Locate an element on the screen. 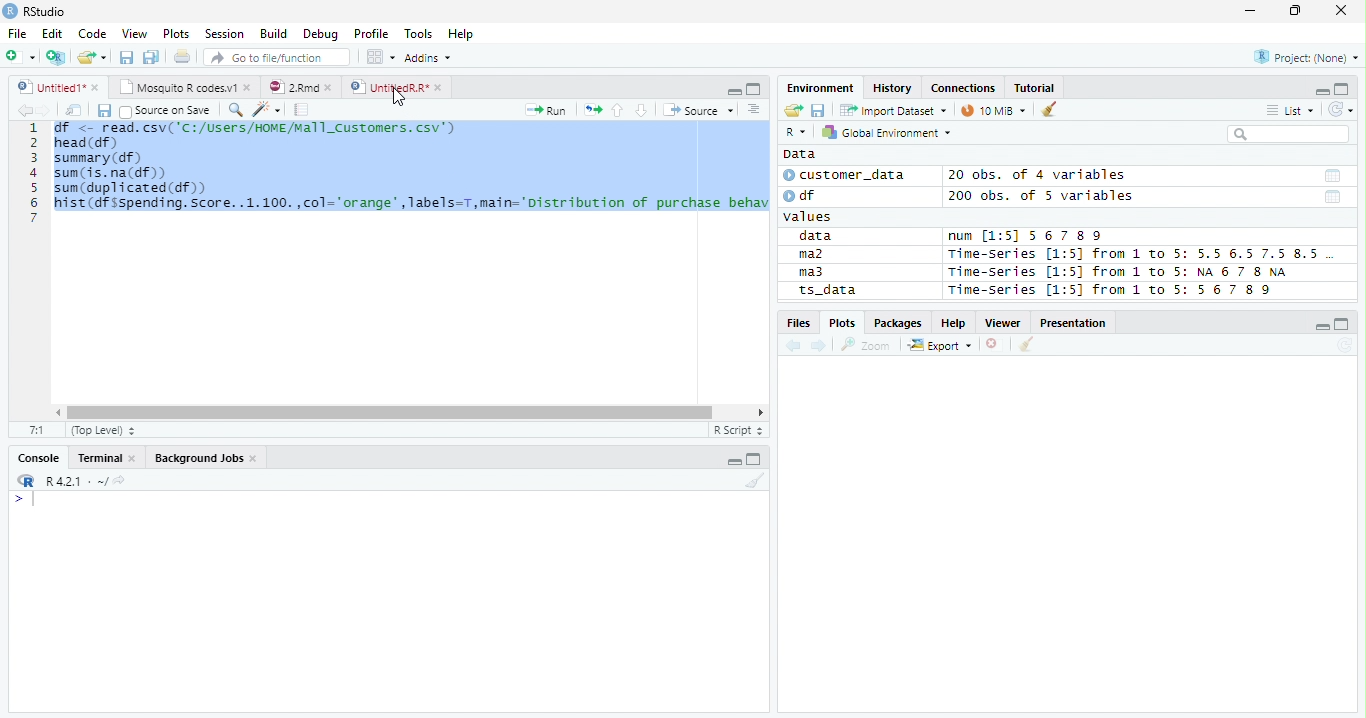 The image size is (1366, 718). Typing indicator is located at coordinates (33, 500).